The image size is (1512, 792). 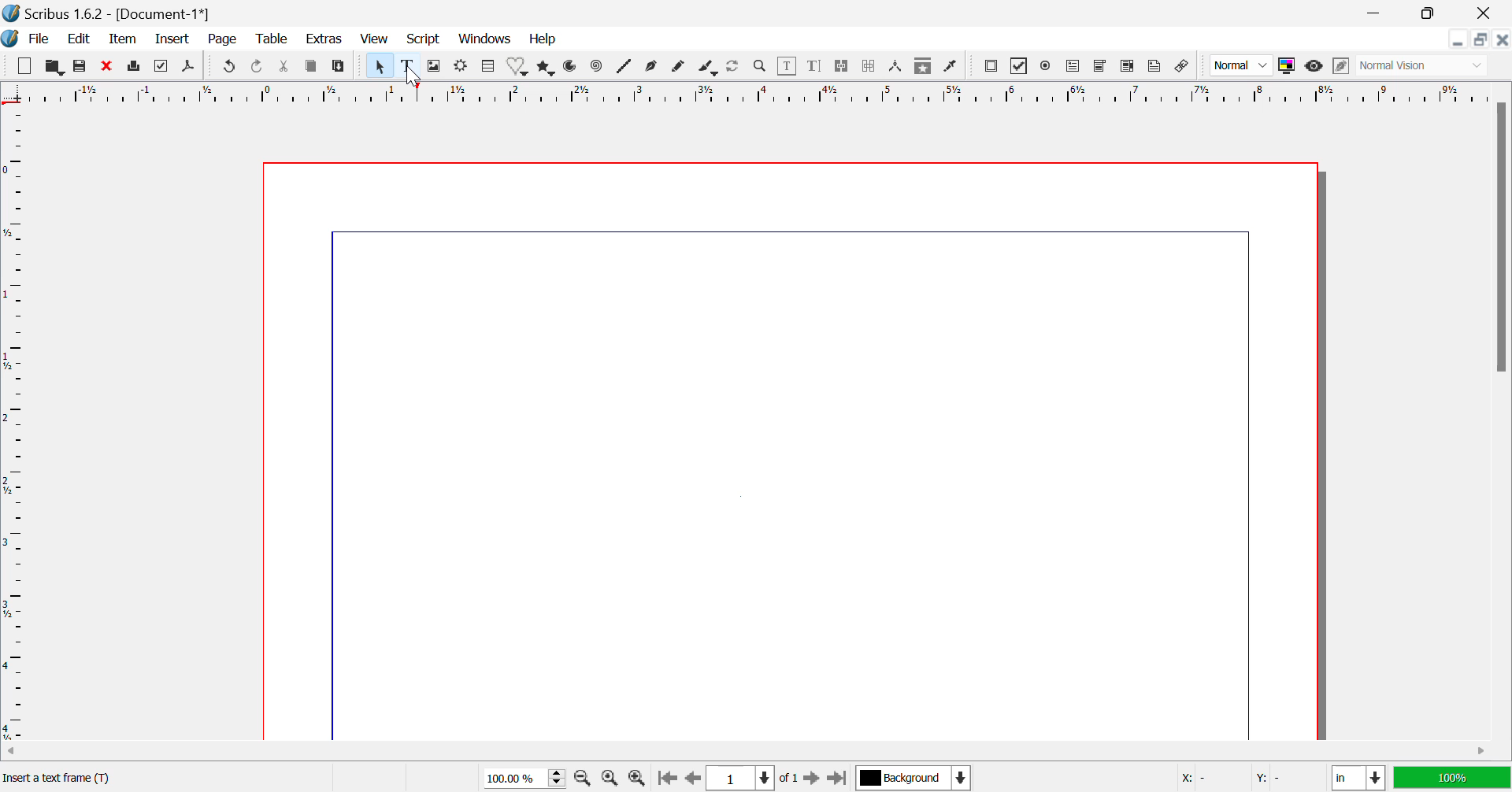 What do you see at coordinates (422, 40) in the screenshot?
I see `Script` at bounding box center [422, 40].